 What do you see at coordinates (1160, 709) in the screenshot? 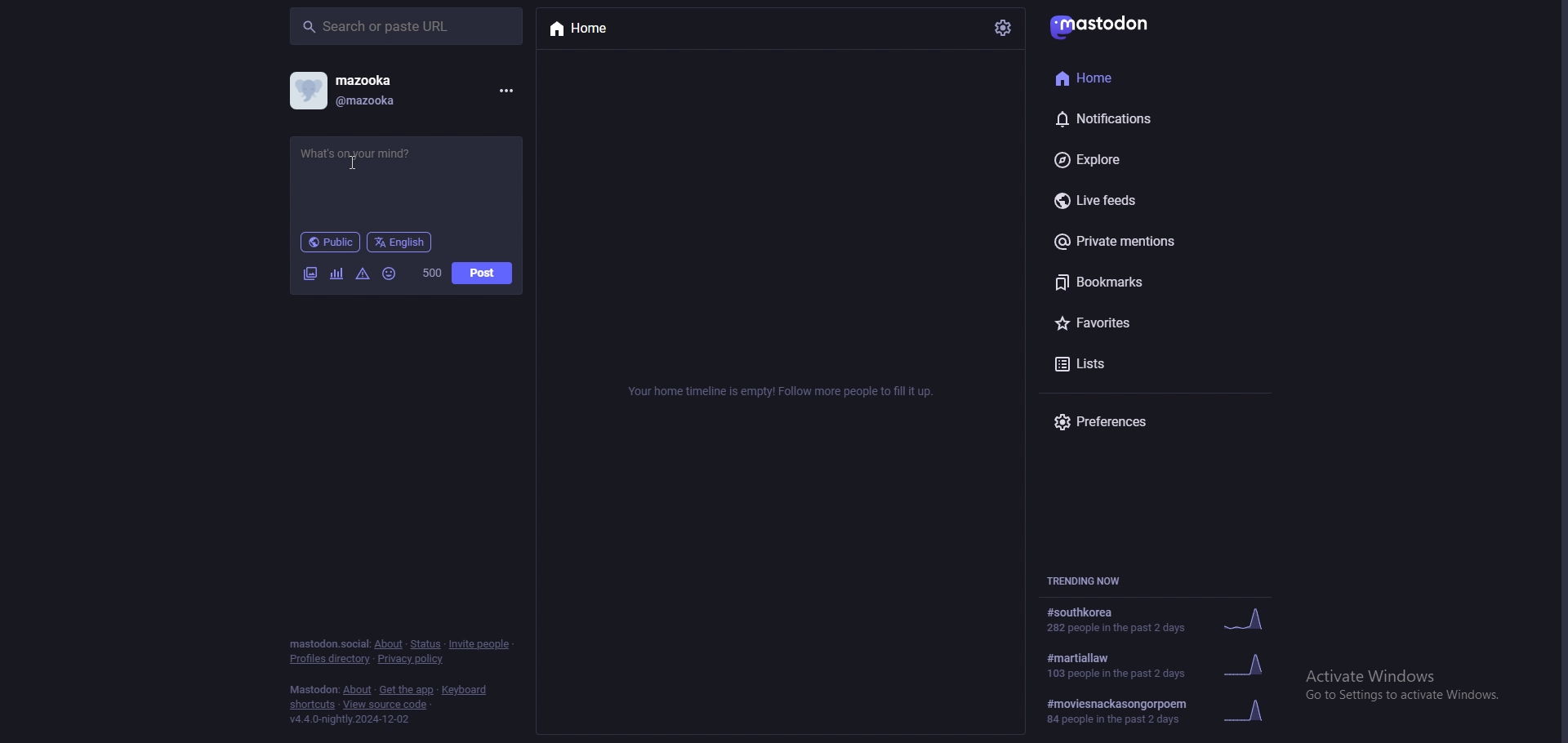
I see `trending` at bounding box center [1160, 709].